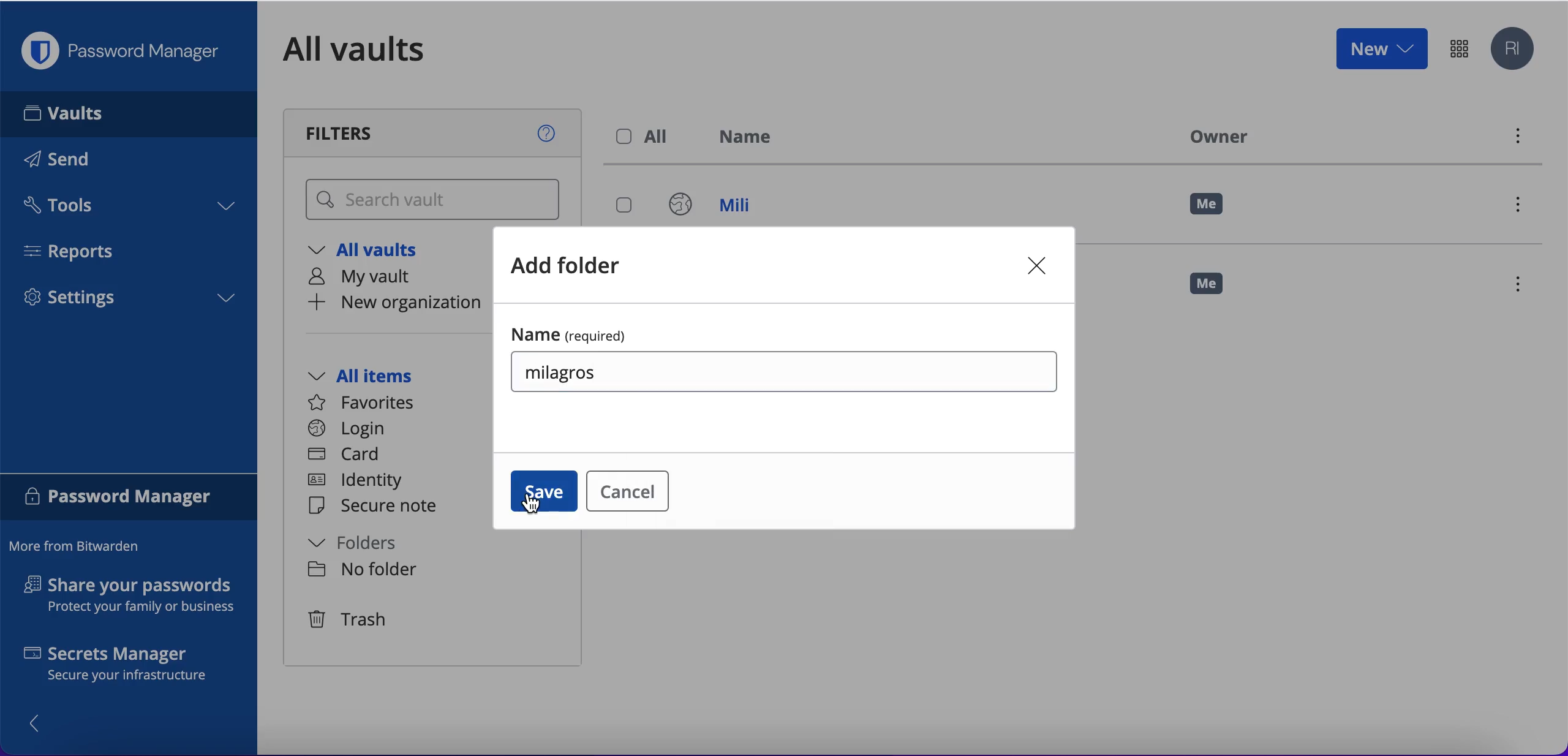 This screenshot has width=1568, height=756. I want to click on my vault, so click(371, 277).